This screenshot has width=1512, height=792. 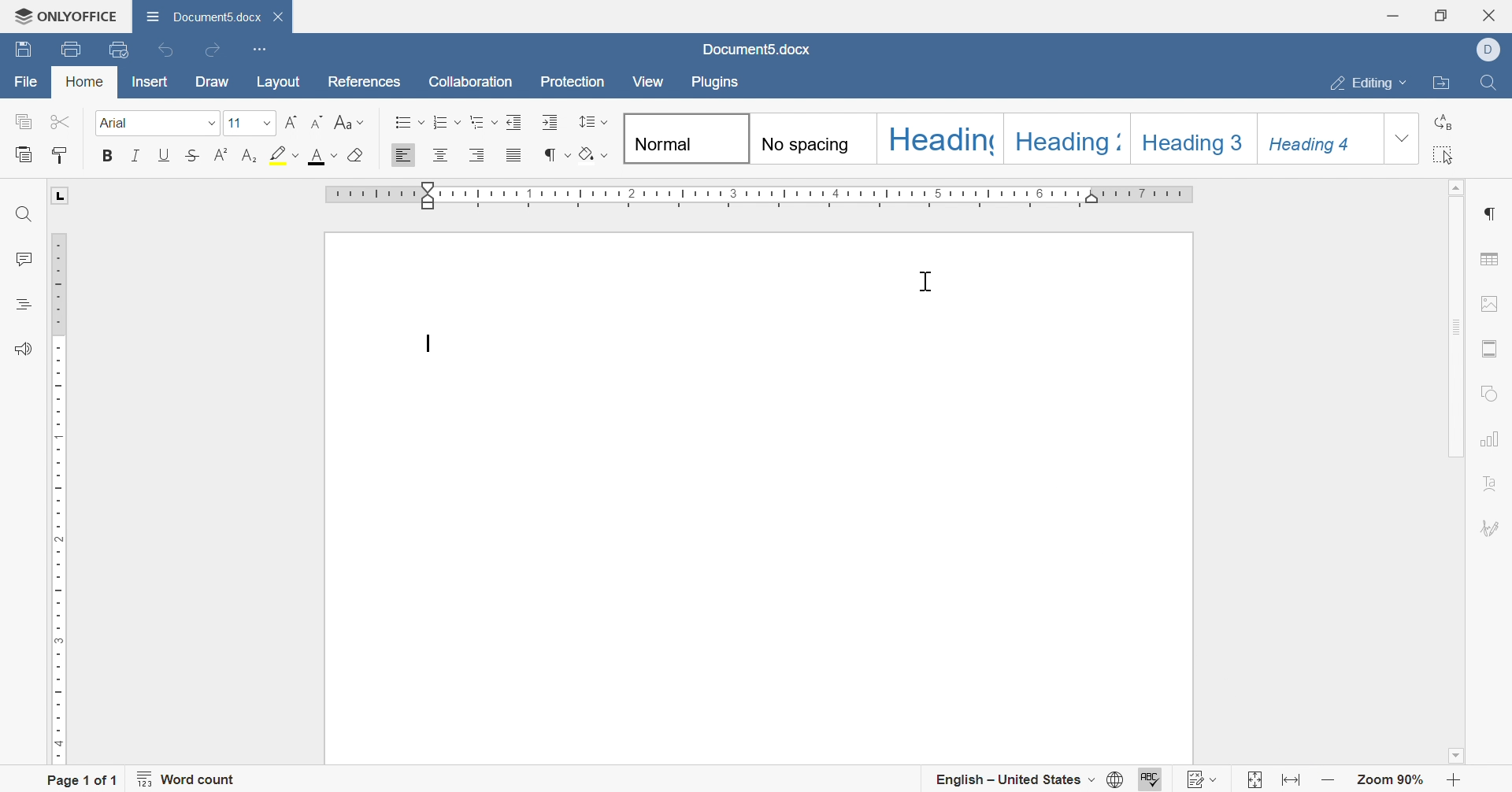 I want to click on quick print, so click(x=120, y=50).